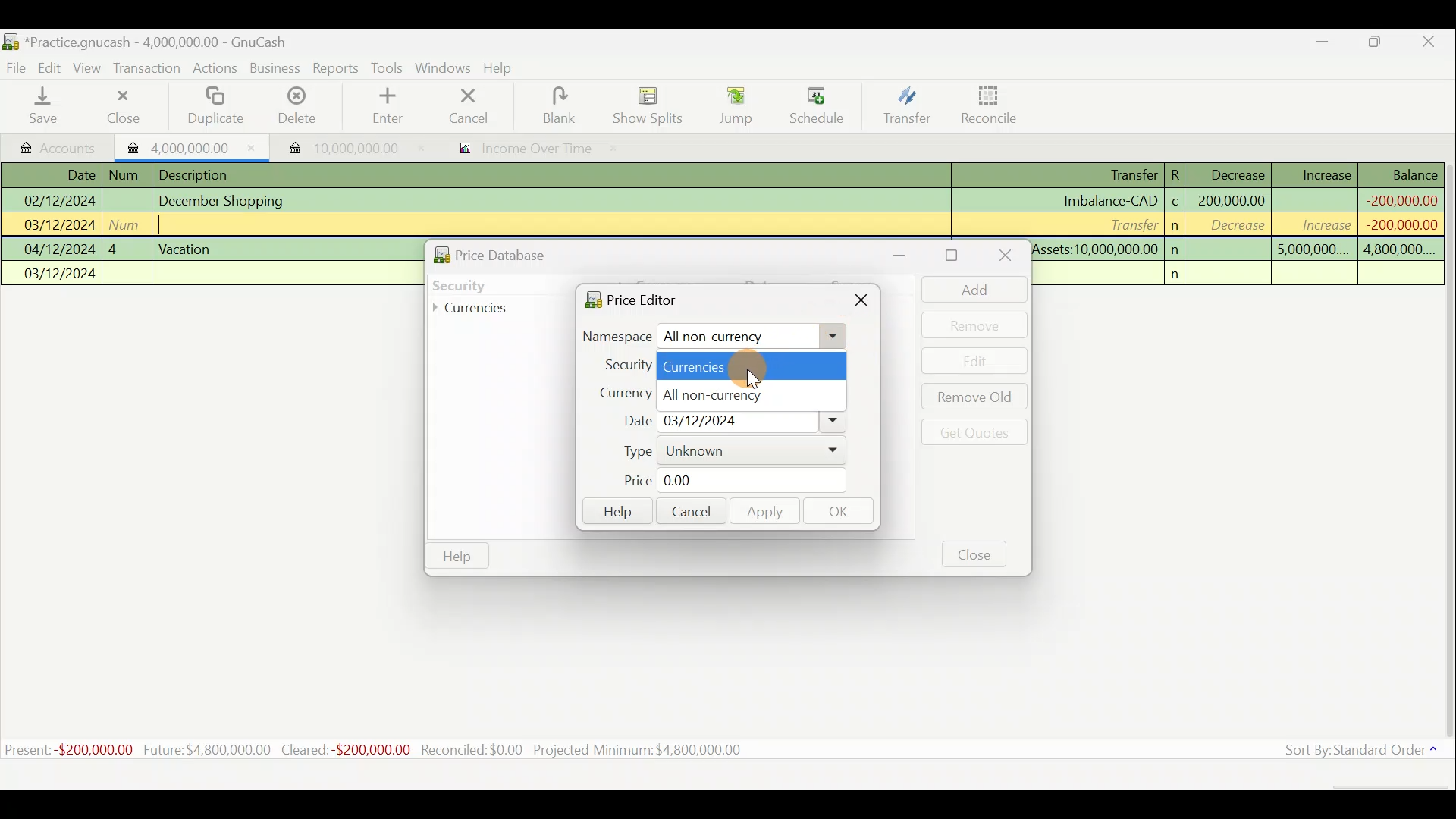 This screenshot has width=1456, height=819. Describe the element at coordinates (1095, 247) in the screenshot. I see `Assets:10,000,000.00` at that location.